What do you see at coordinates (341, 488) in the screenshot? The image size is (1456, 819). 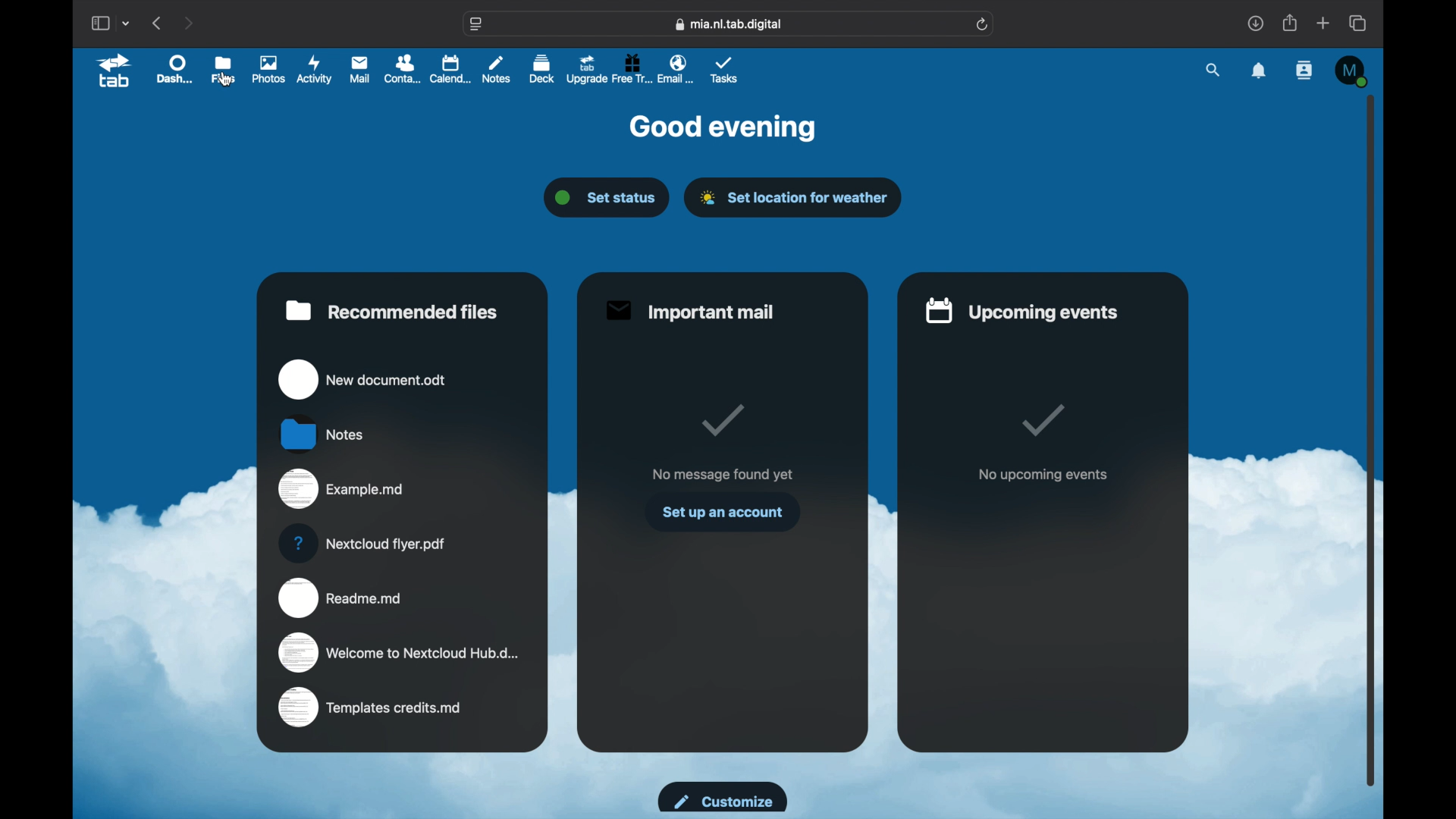 I see `example` at bounding box center [341, 488].